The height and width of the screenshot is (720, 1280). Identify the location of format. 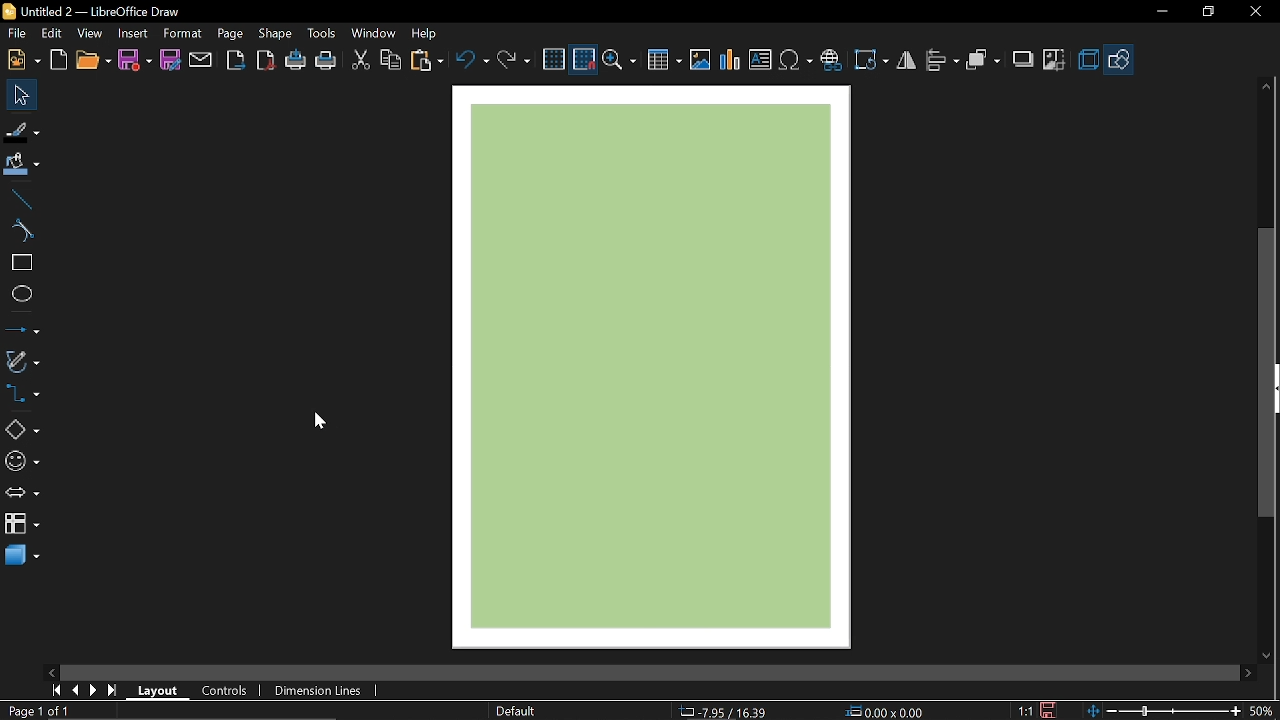
(184, 34).